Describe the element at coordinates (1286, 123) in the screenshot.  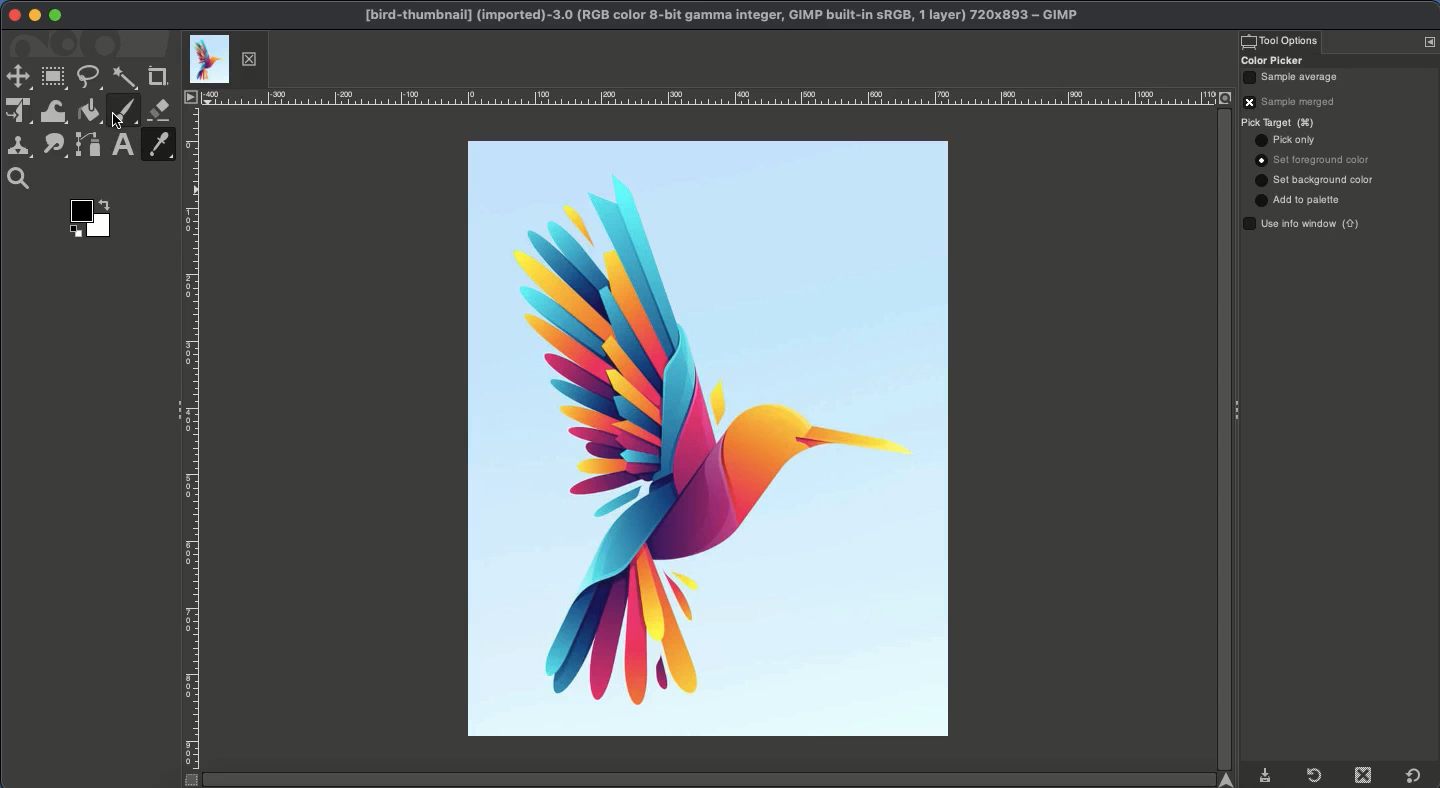
I see `Pick target` at that location.